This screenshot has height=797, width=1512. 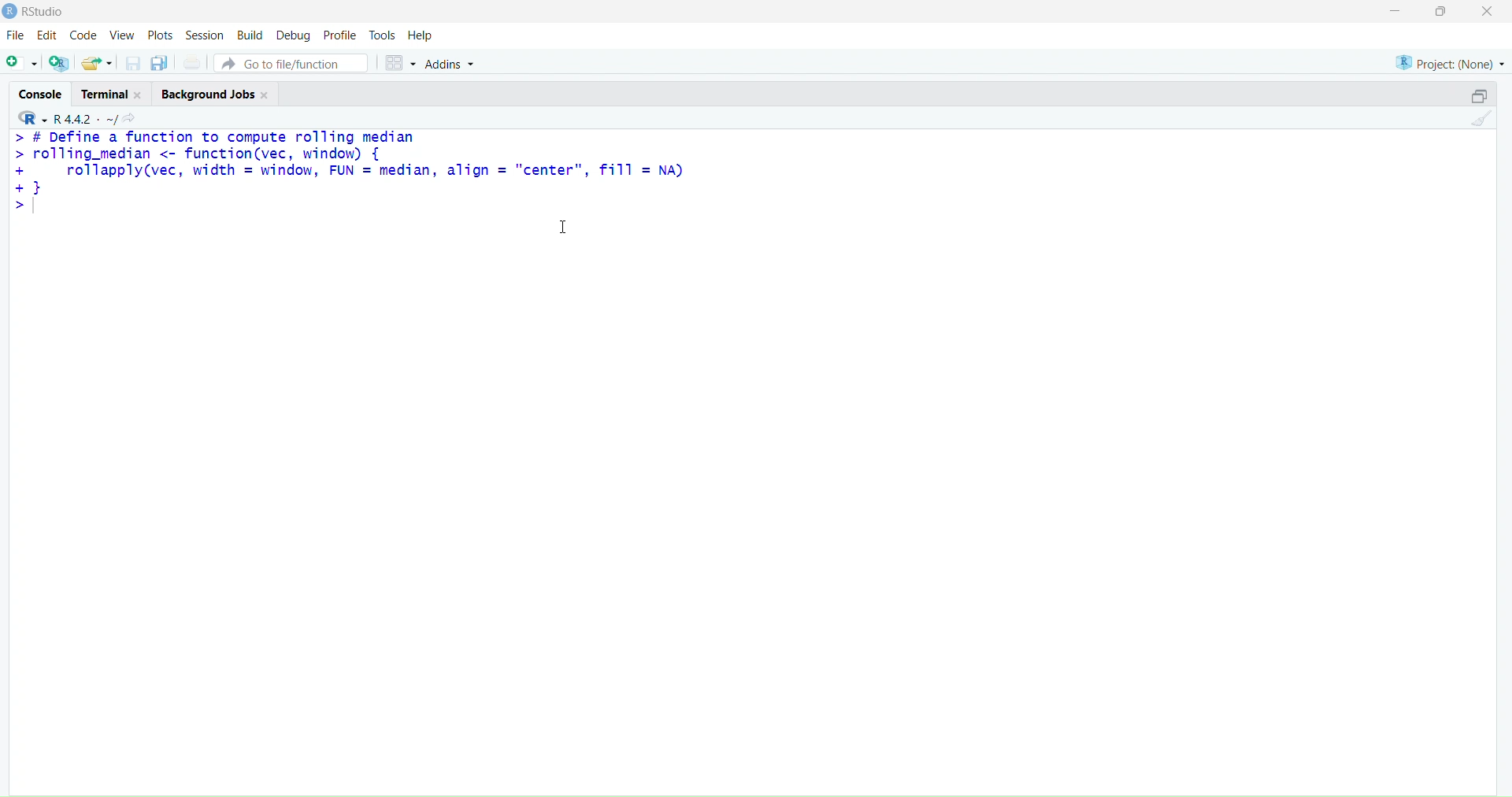 What do you see at coordinates (339, 35) in the screenshot?
I see `profile` at bounding box center [339, 35].